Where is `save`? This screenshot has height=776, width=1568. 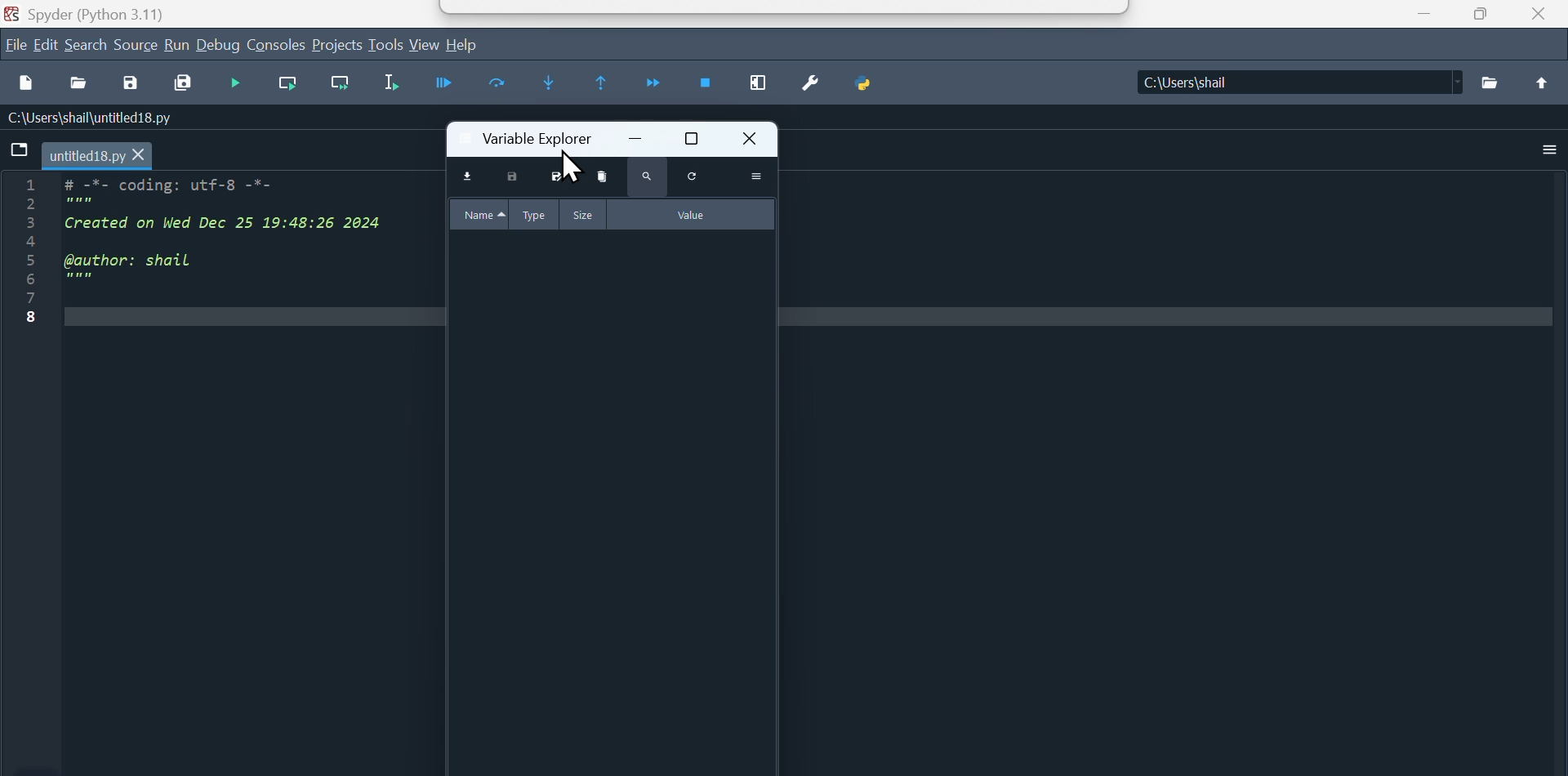 save is located at coordinates (513, 178).